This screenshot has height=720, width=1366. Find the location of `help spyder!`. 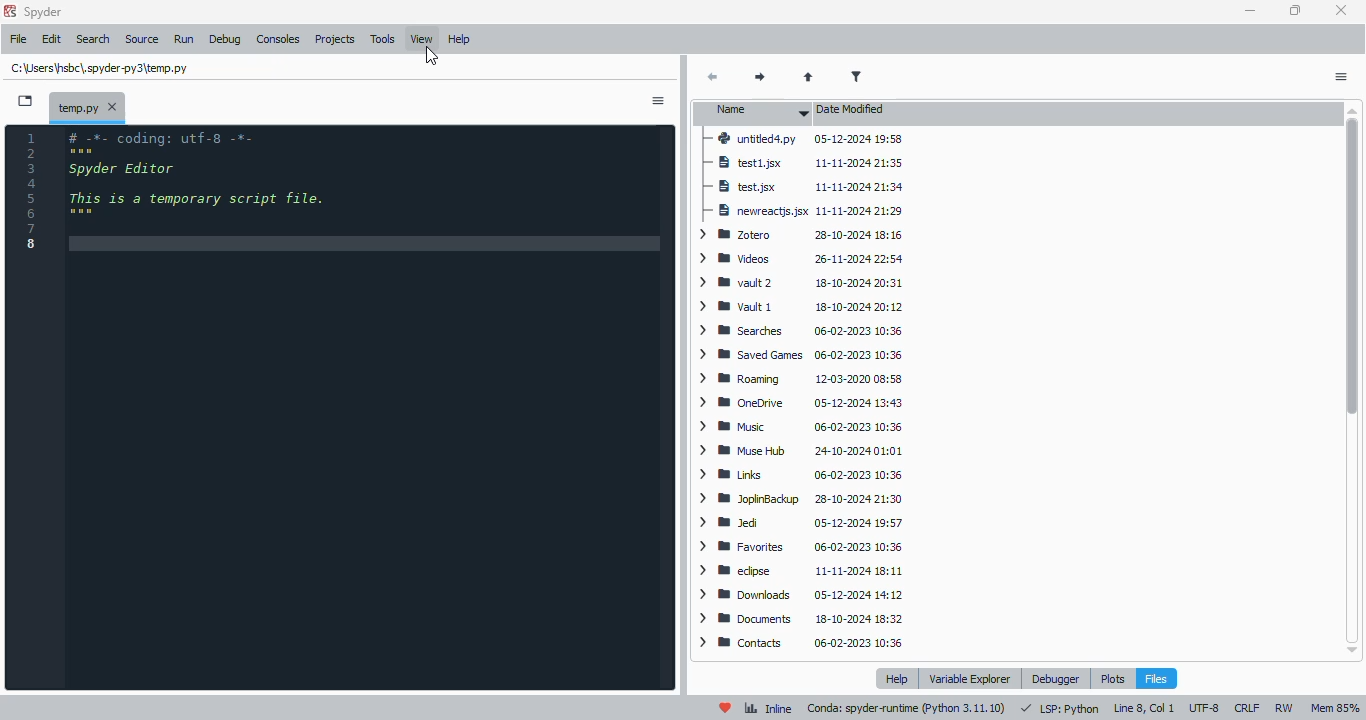

help spyder! is located at coordinates (726, 709).